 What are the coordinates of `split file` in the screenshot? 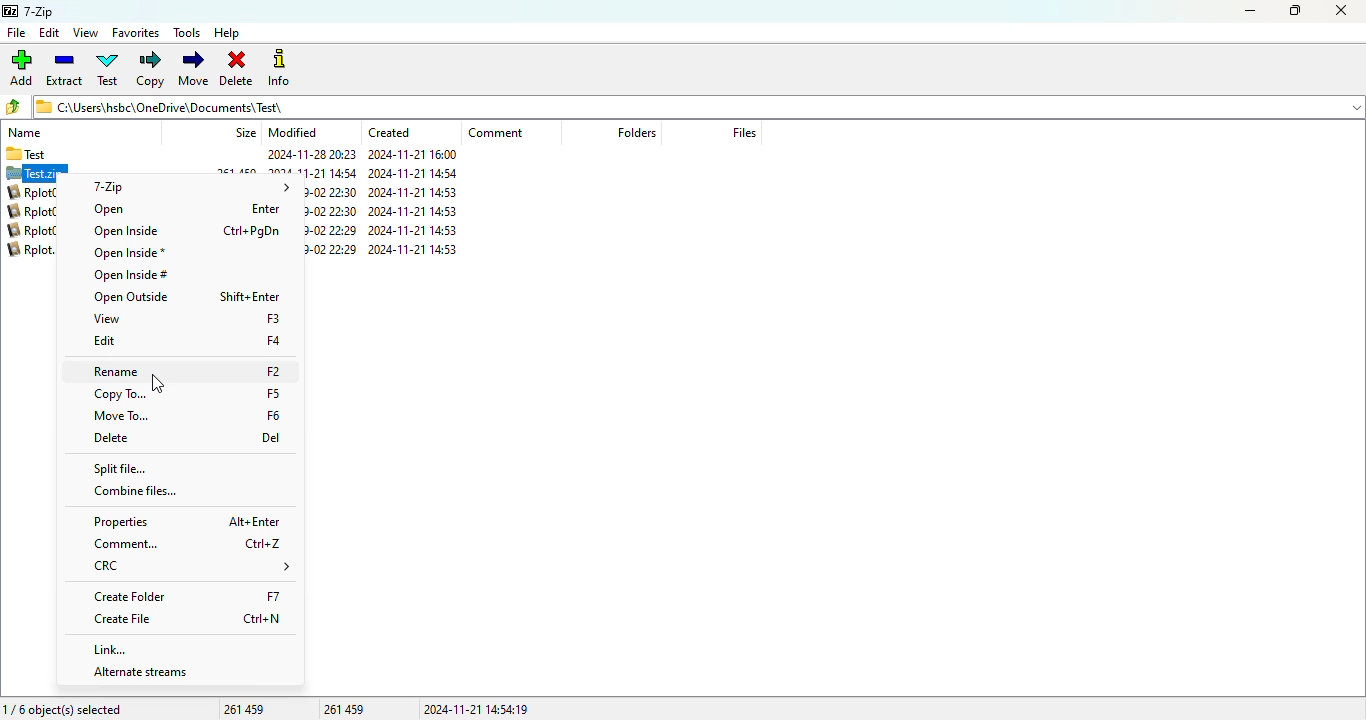 It's located at (119, 468).